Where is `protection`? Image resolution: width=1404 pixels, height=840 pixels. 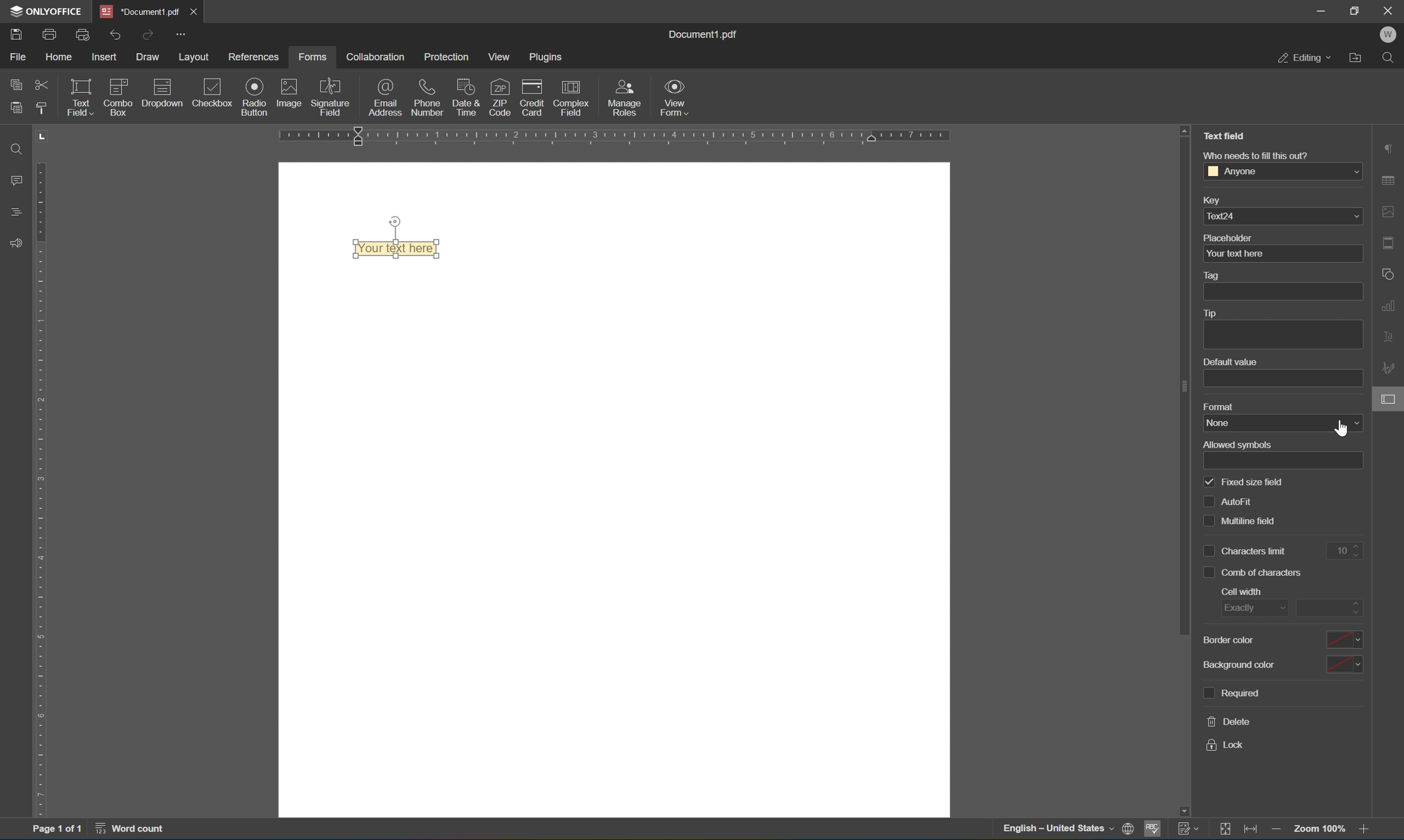 protection is located at coordinates (447, 57).